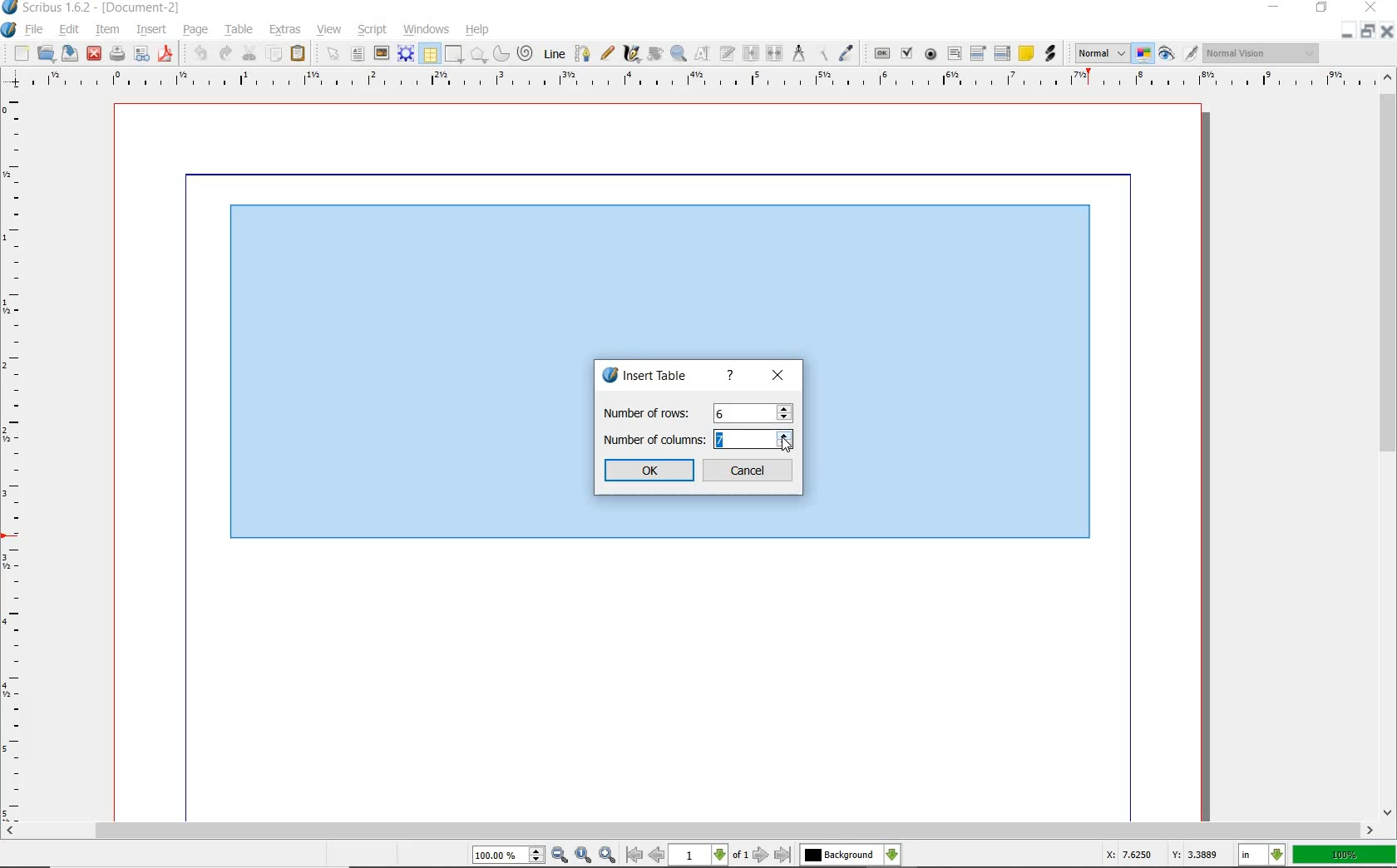 Image resolution: width=1397 pixels, height=868 pixels. What do you see at coordinates (454, 55) in the screenshot?
I see `shape` at bounding box center [454, 55].